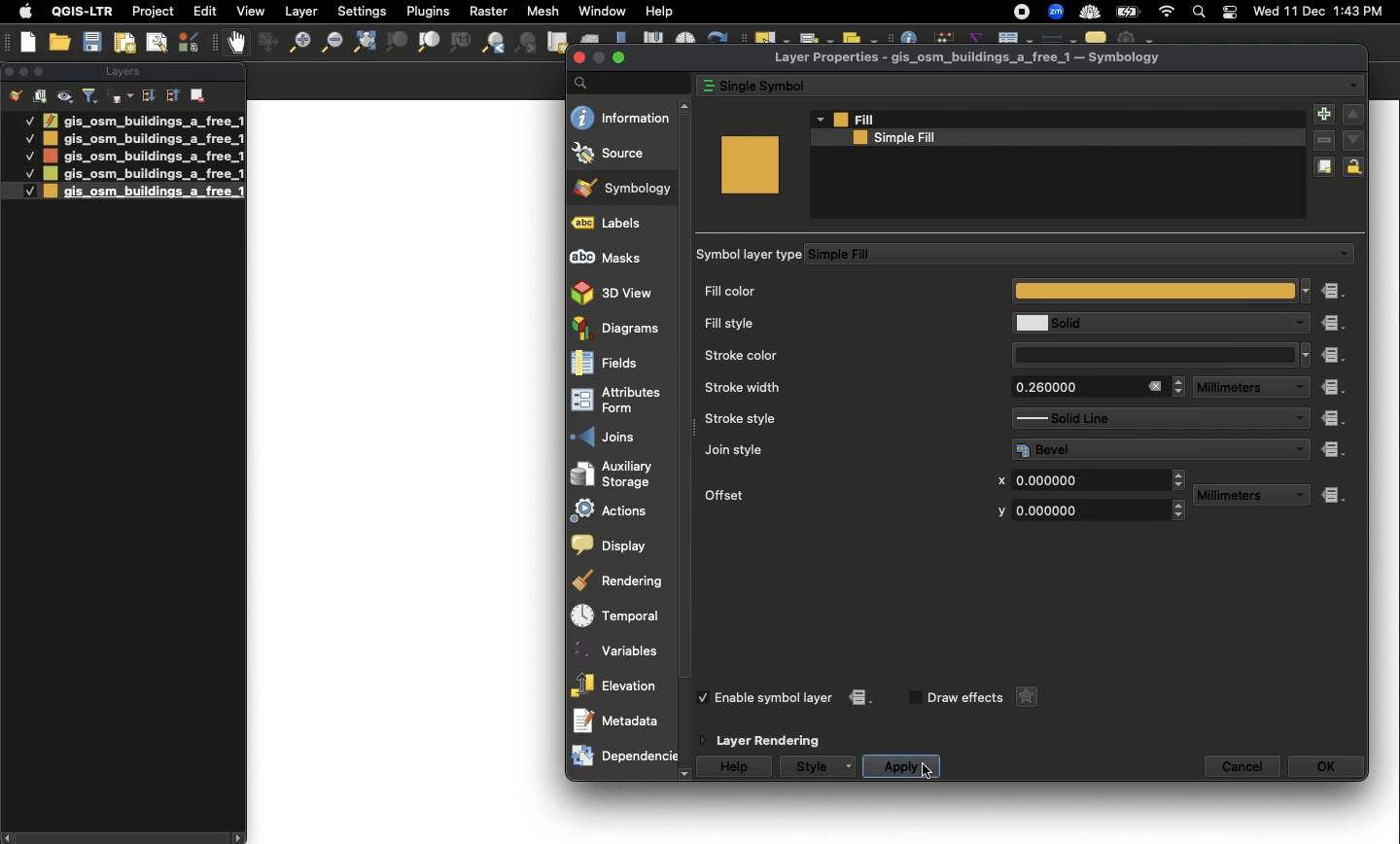 This screenshot has width=1400, height=844. What do you see at coordinates (1357, 166) in the screenshot?
I see `Lock` at bounding box center [1357, 166].